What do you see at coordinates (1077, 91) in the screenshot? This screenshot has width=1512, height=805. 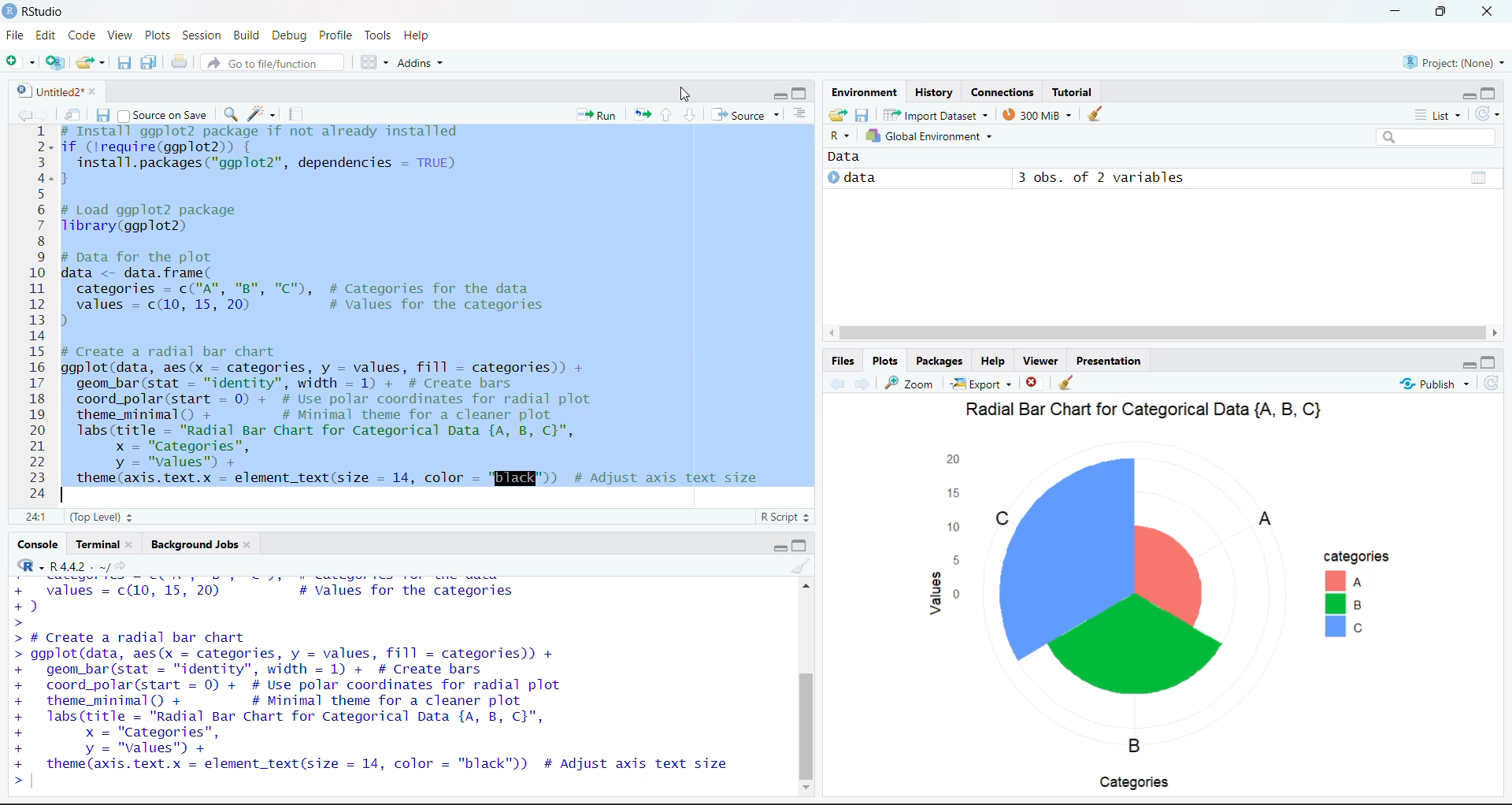 I see `Tutorial` at bounding box center [1077, 91].